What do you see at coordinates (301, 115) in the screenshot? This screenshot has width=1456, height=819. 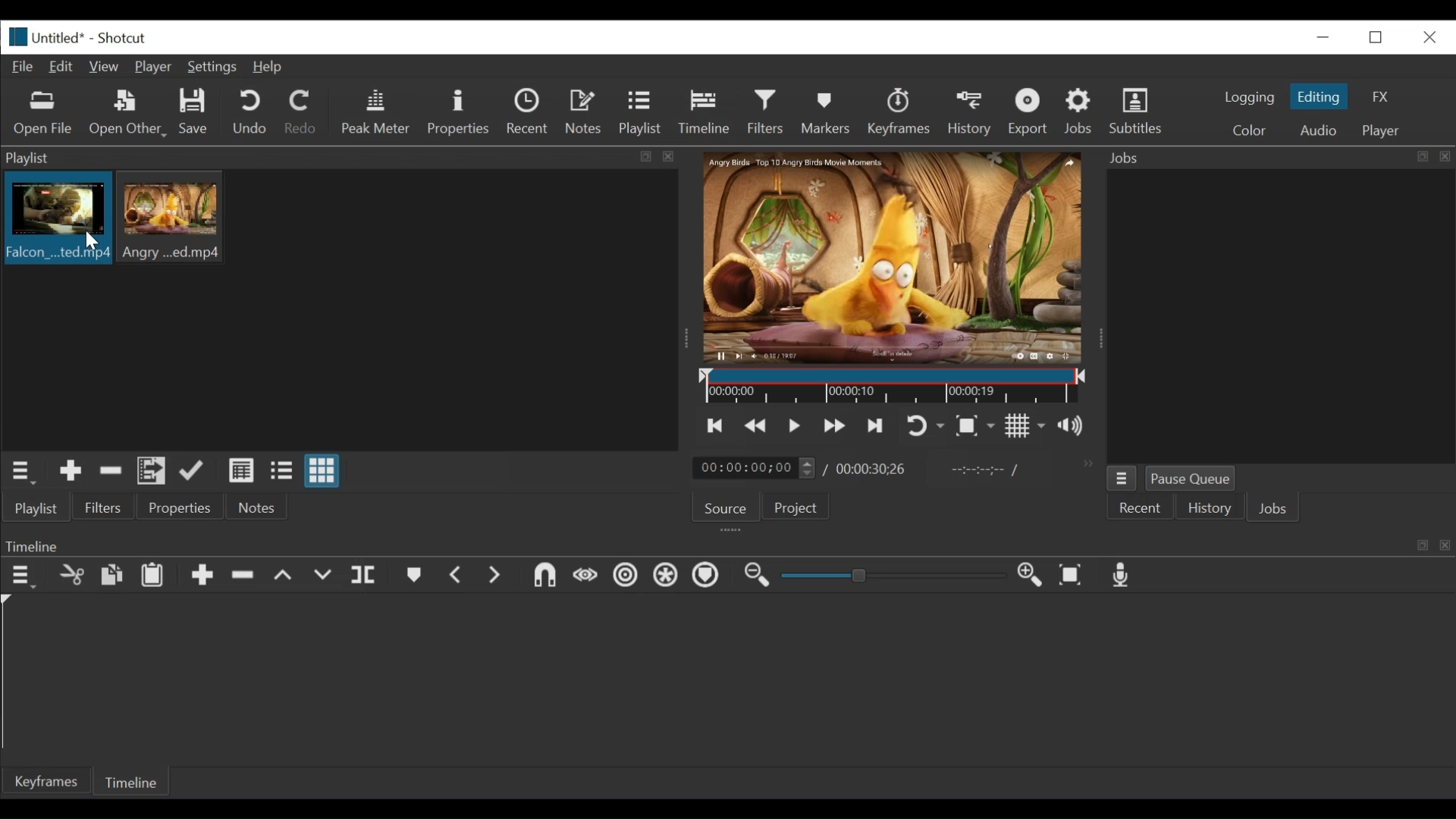 I see `Redo` at bounding box center [301, 115].